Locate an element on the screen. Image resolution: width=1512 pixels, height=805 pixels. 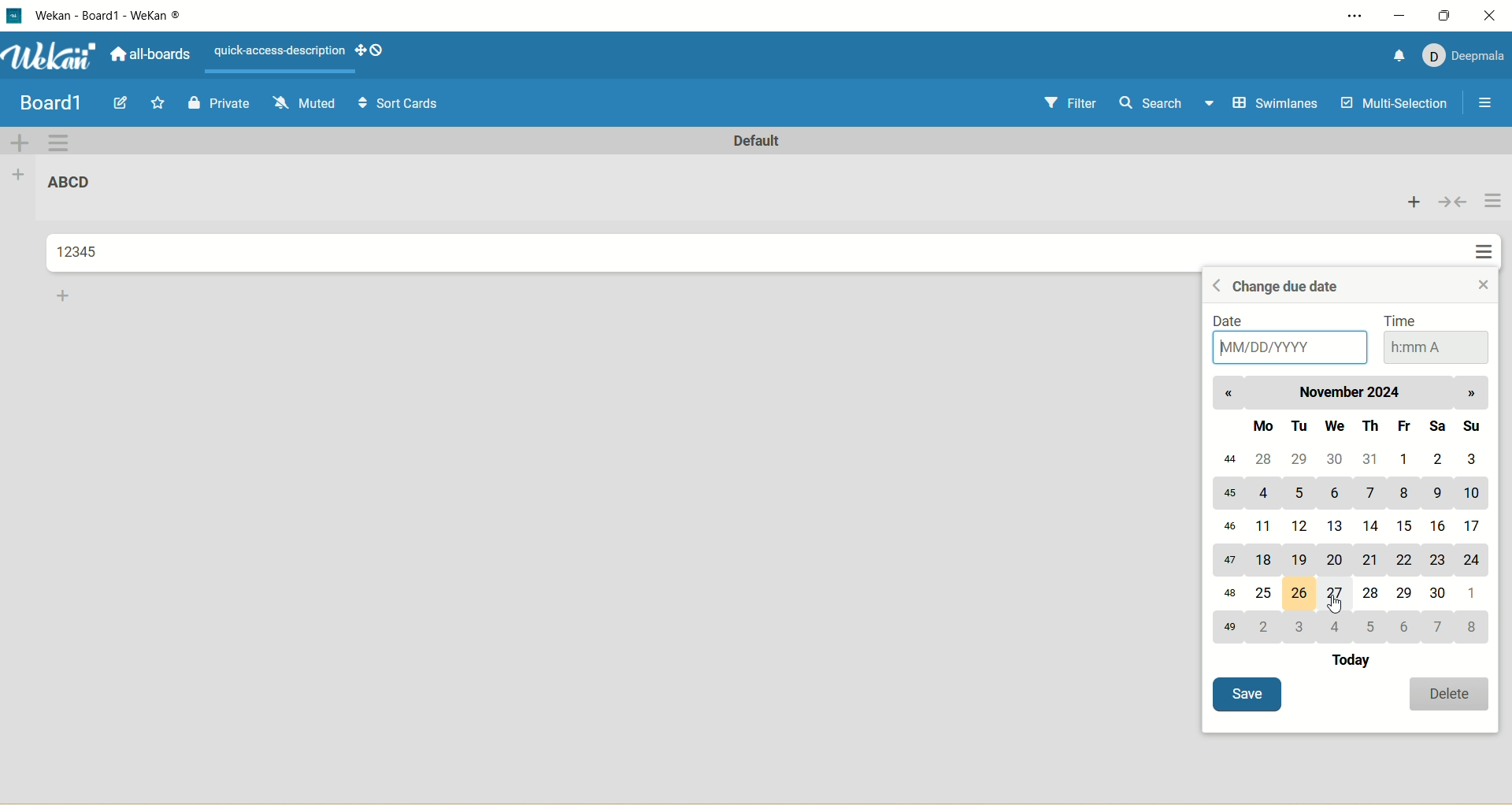
title is located at coordinates (110, 20).